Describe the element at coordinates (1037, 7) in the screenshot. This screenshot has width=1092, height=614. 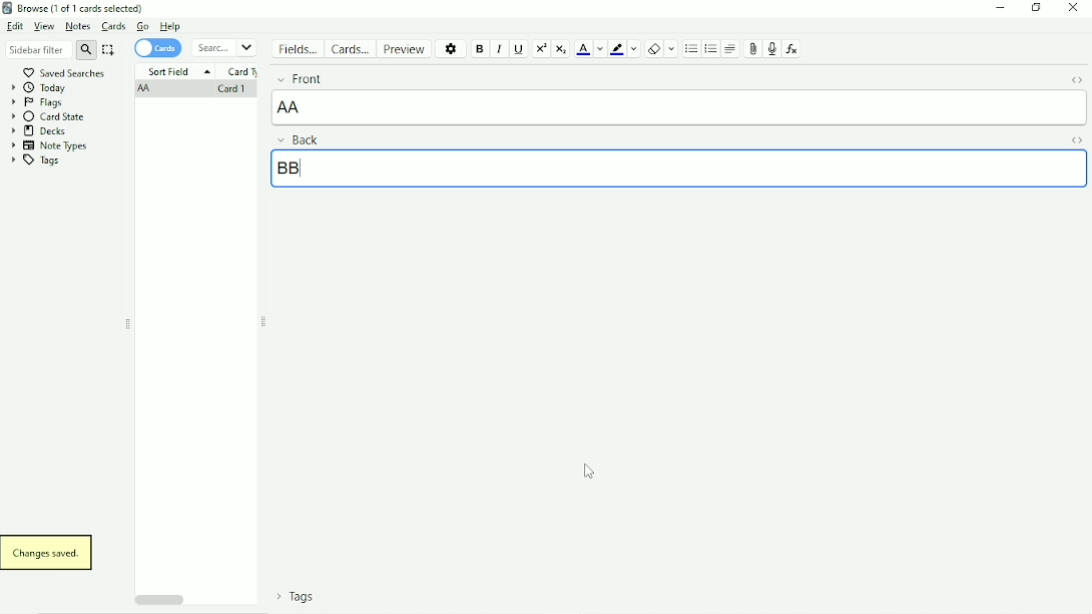
I see `Restore down` at that location.